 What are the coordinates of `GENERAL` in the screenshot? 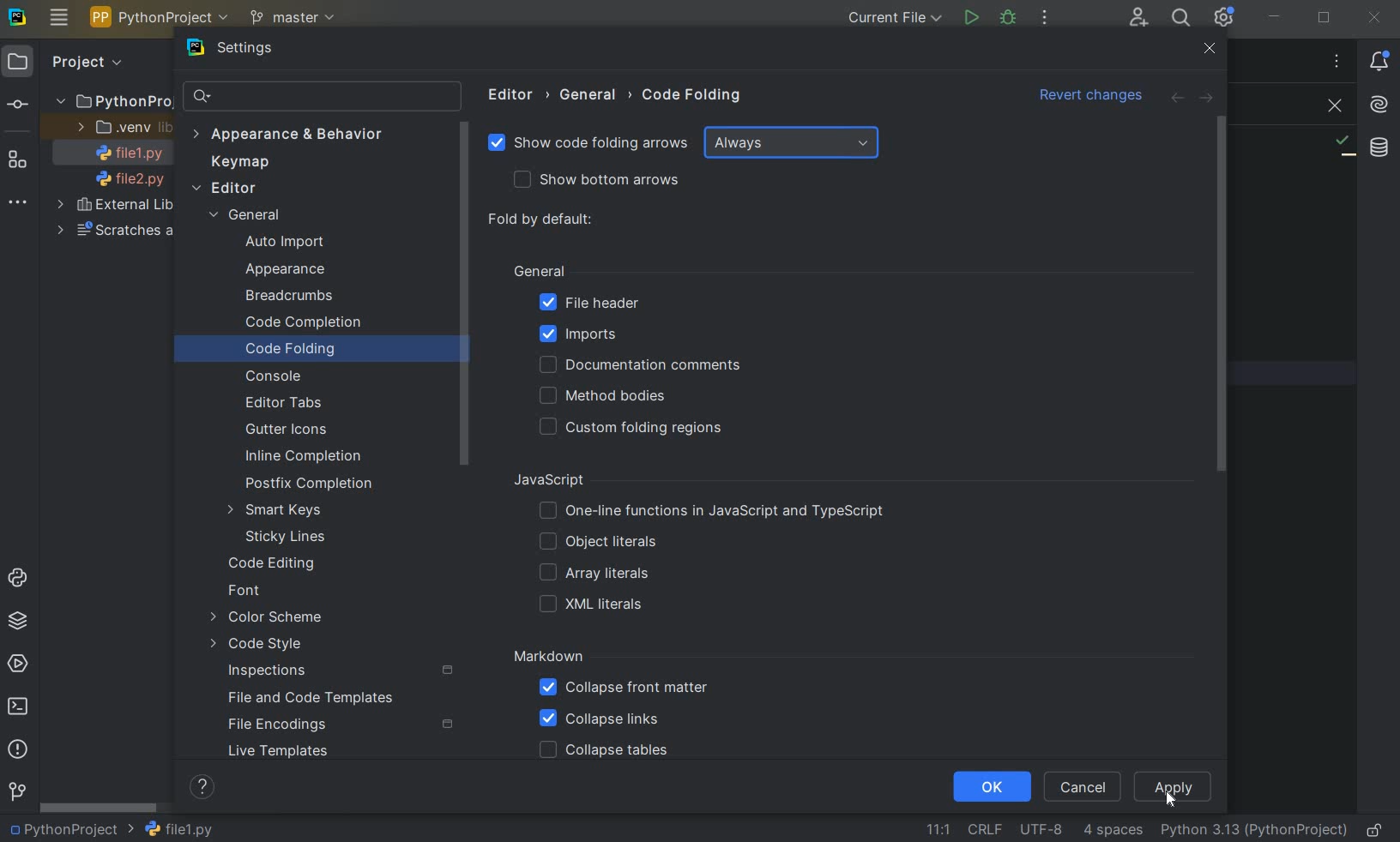 It's located at (539, 269).